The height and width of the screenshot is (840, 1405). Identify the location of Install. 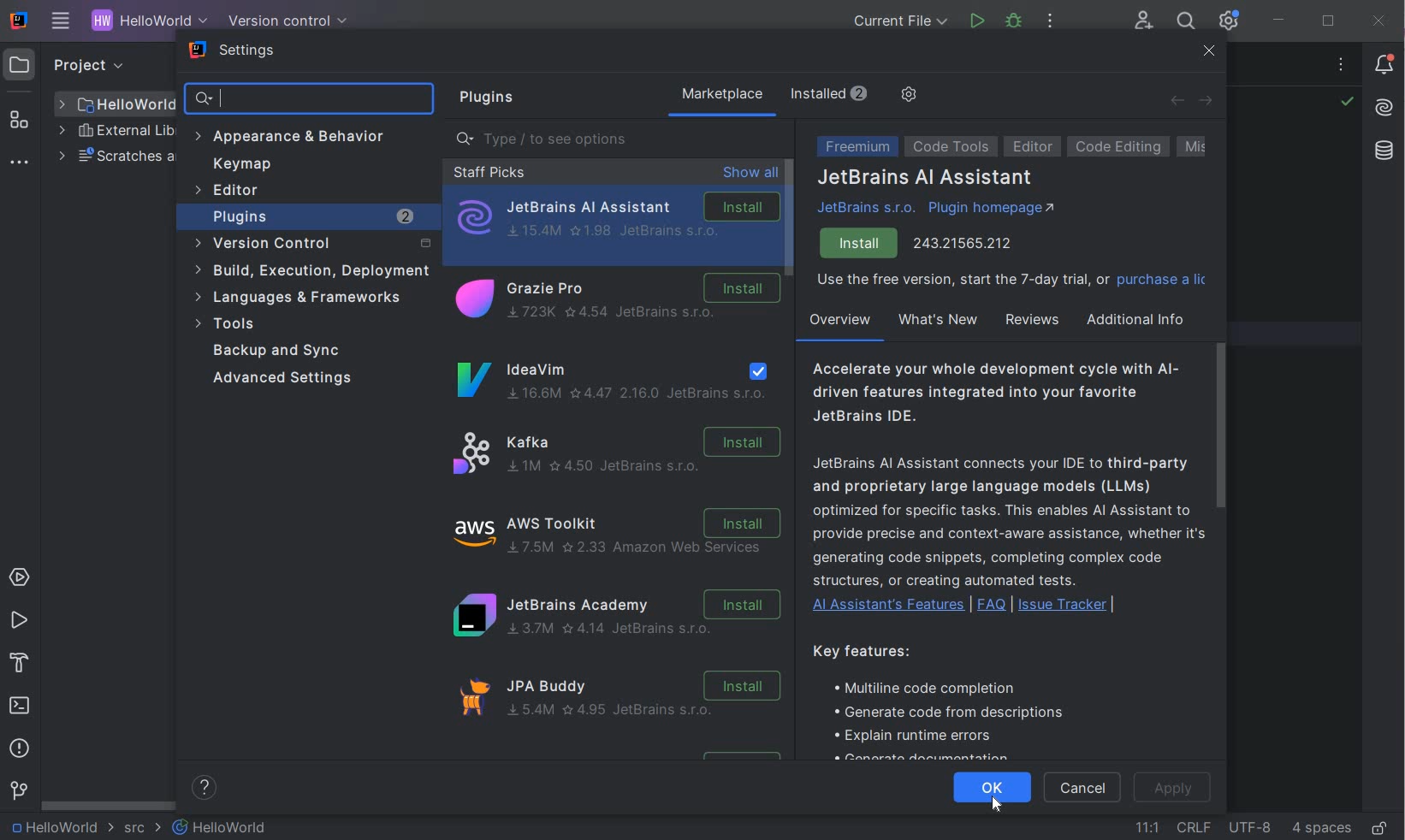
(860, 244).